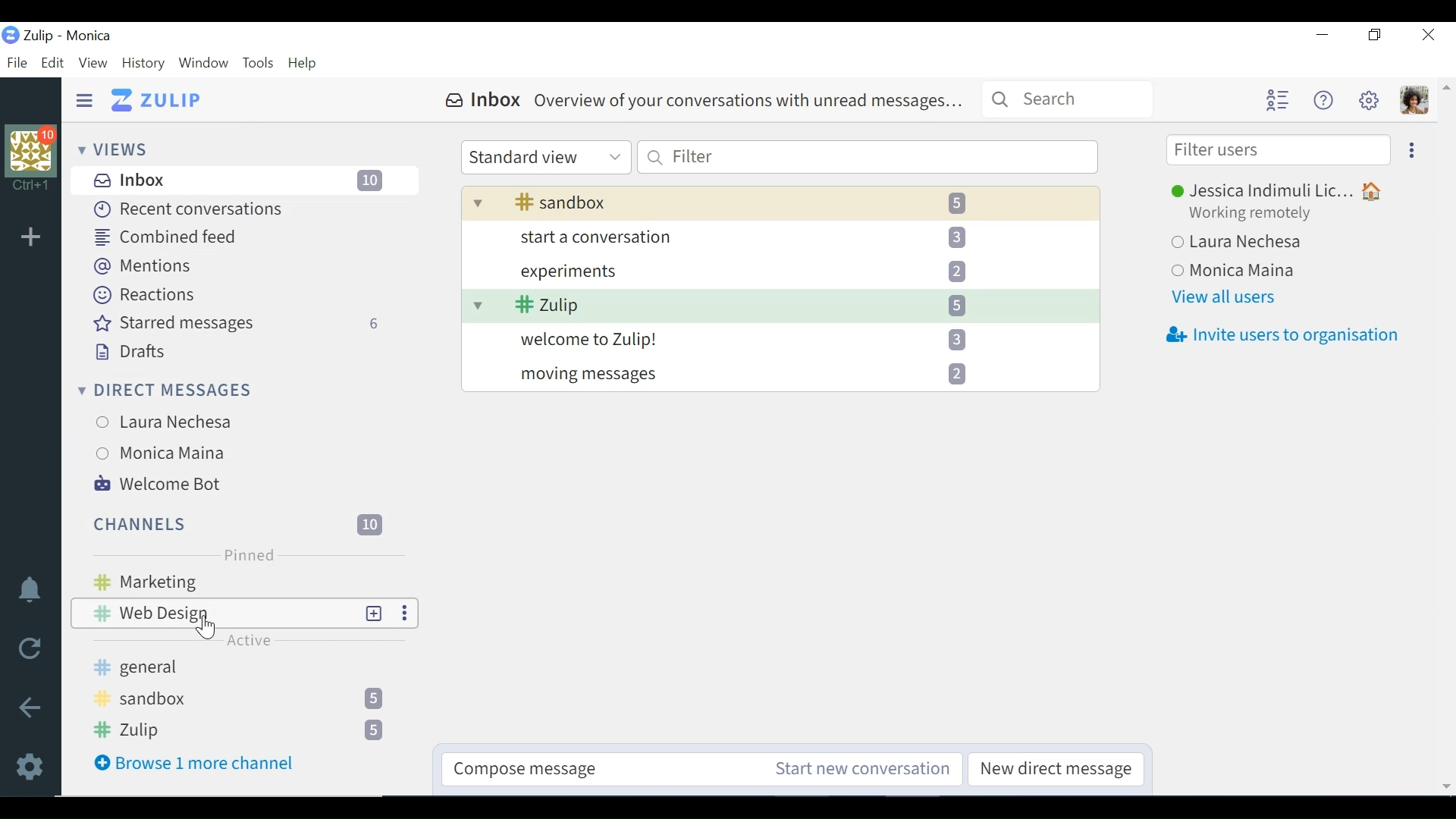 Image resolution: width=1456 pixels, height=819 pixels. What do you see at coordinates (1451, 438) in the screenshot?
I see `vertical scrollbar` at bounding box center [1451, 438].